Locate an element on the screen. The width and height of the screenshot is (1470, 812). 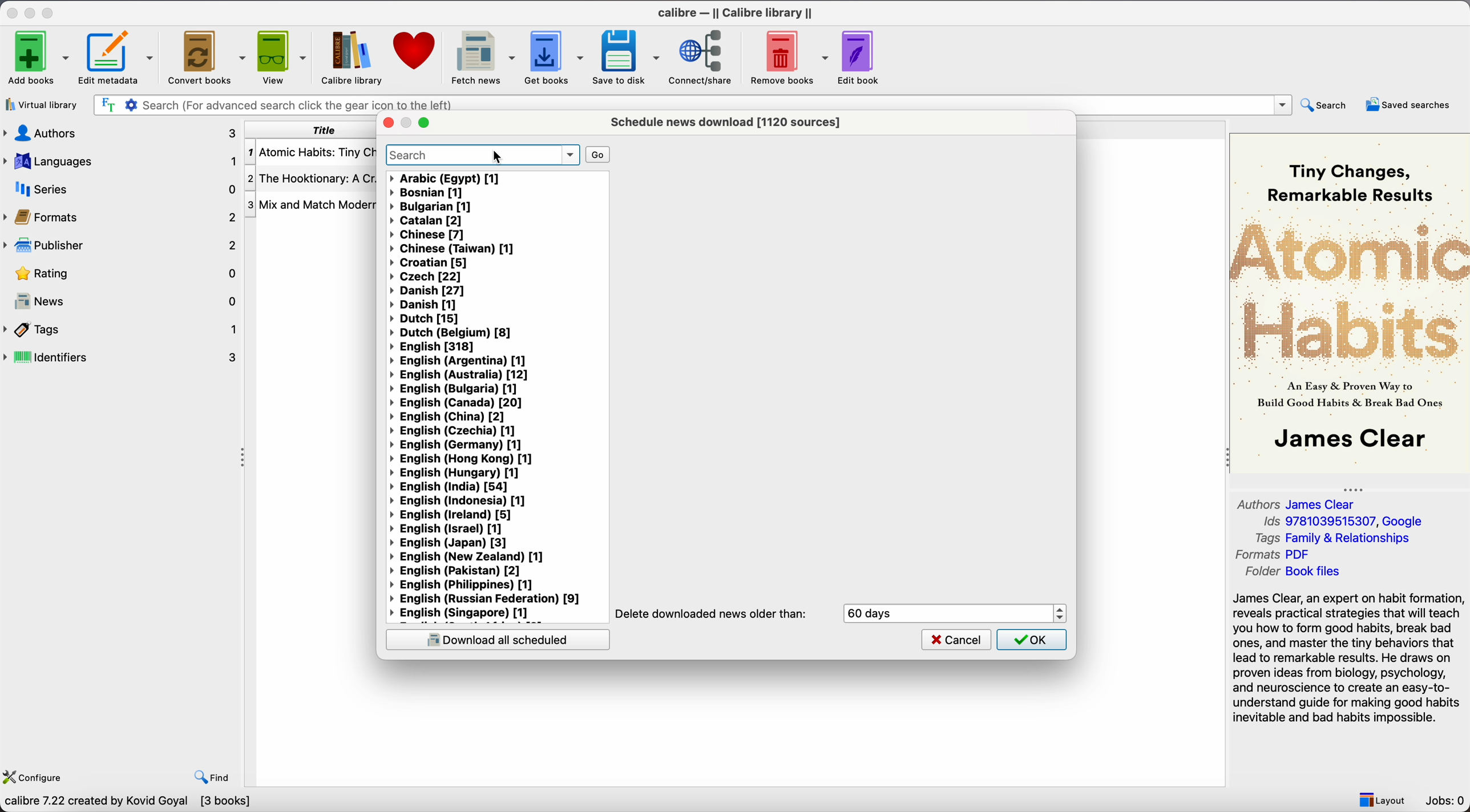
identifiers is located at coordinates (122, 358).